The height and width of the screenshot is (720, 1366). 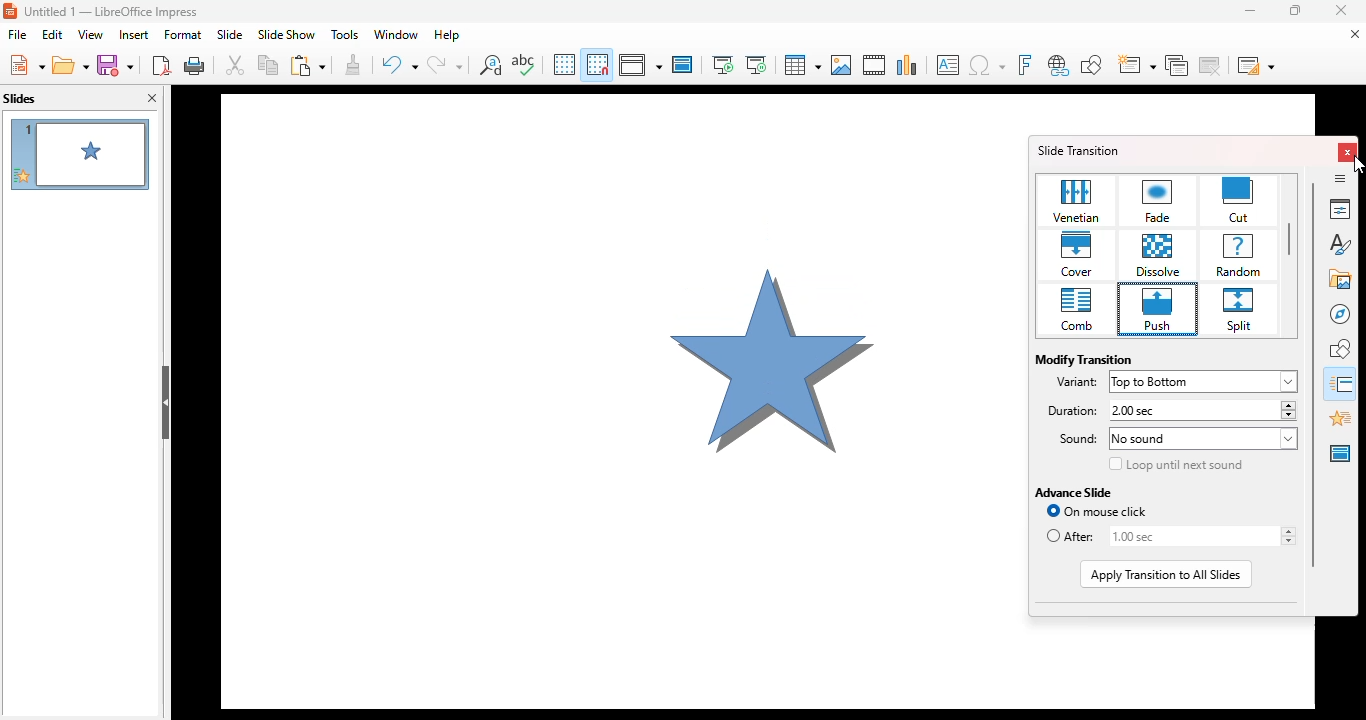 What do you see at coordinates (1287, 416) in the screenshot?
I see `decrease duration` at bounding box center [1287, 416].